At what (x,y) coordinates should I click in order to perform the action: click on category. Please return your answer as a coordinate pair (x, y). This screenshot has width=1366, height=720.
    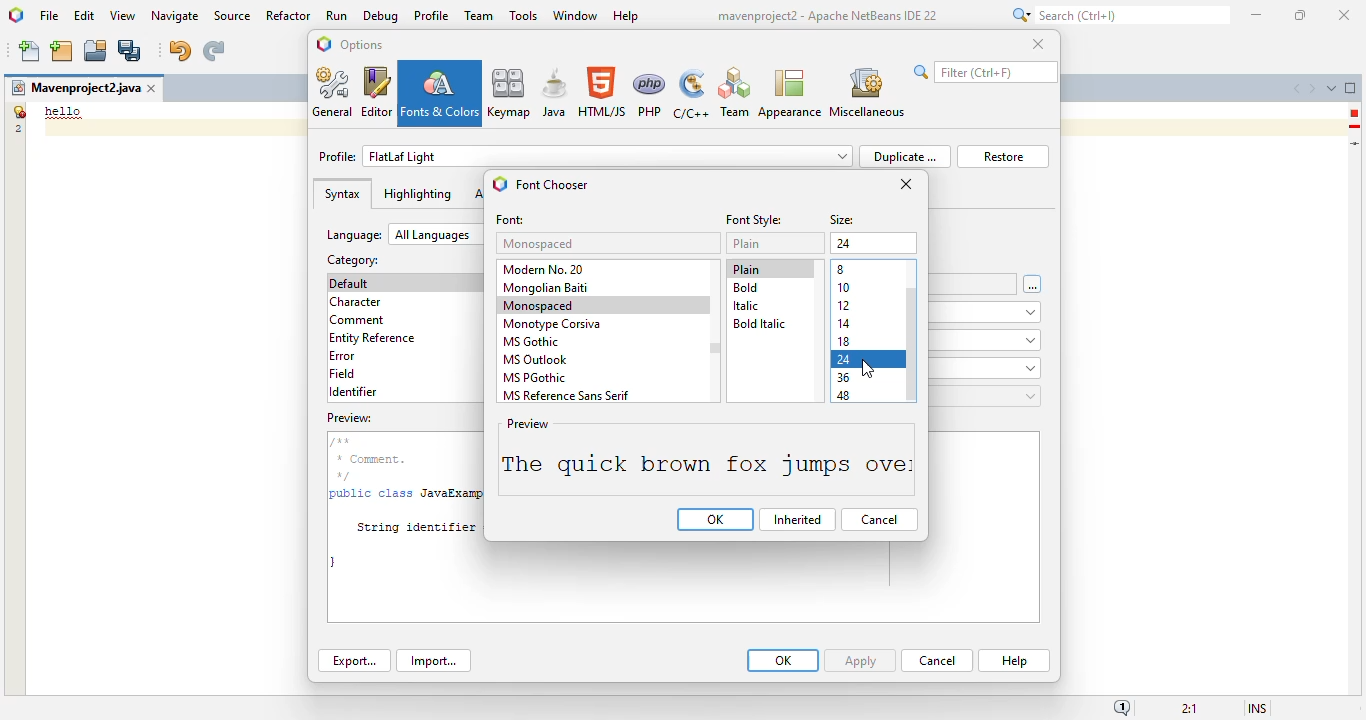
    Looking at the image, I should click on (351, 260).